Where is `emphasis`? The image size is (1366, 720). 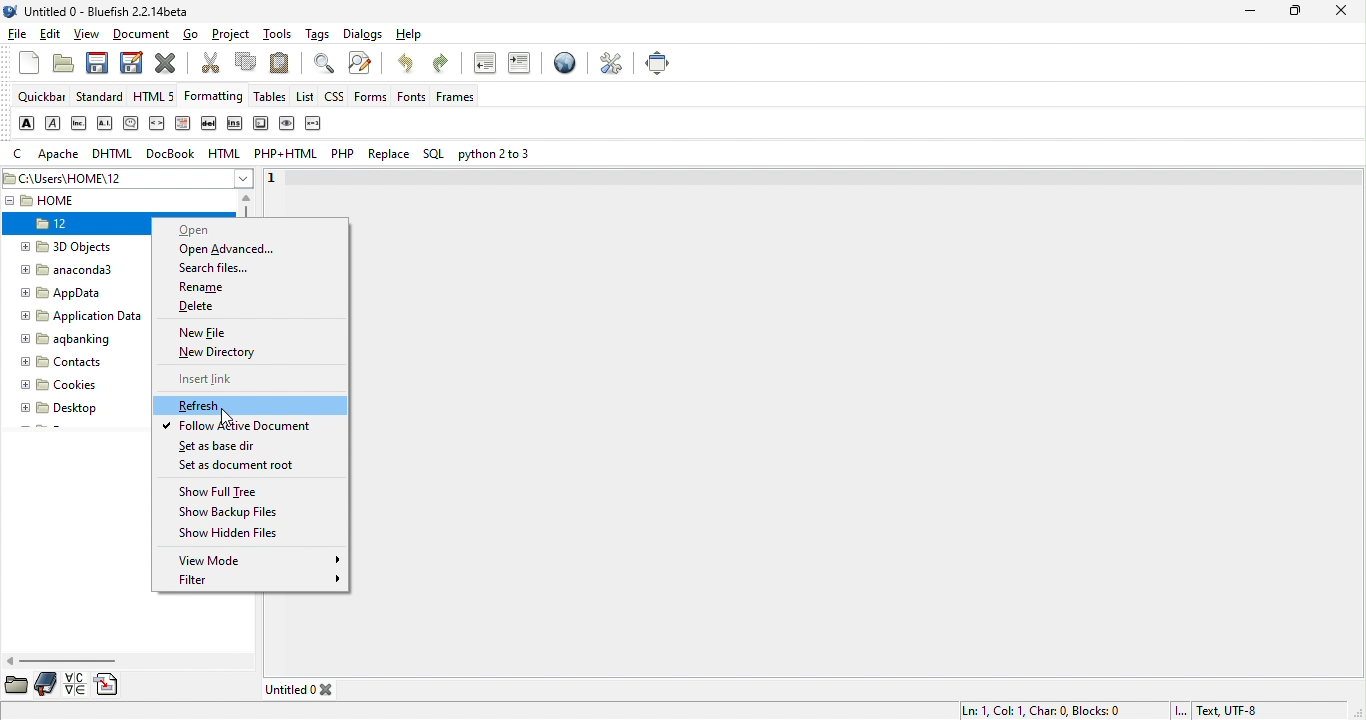 emphasis is located at coordinates (53, 124).